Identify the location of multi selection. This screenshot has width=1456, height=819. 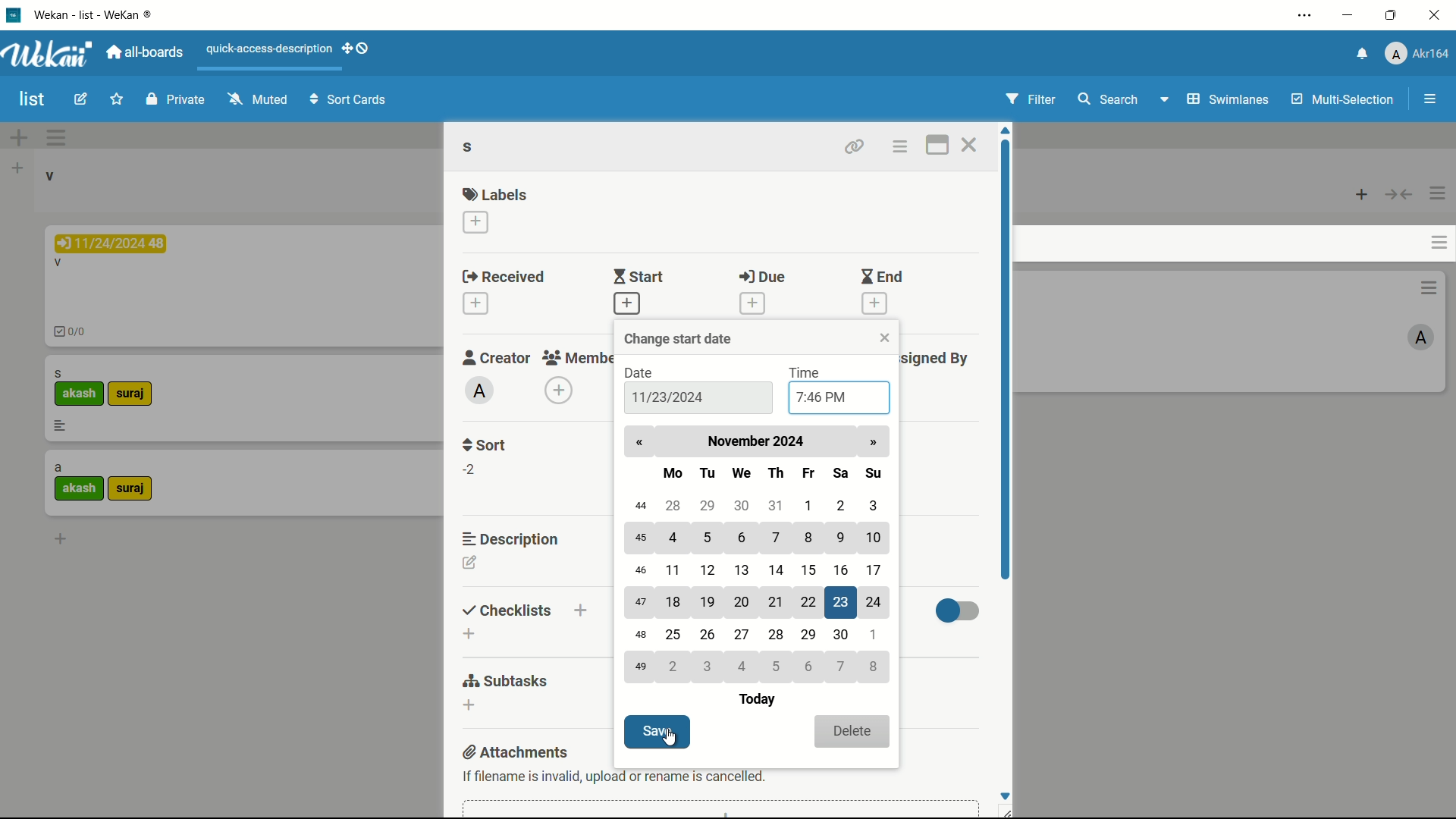
(1345, 101).